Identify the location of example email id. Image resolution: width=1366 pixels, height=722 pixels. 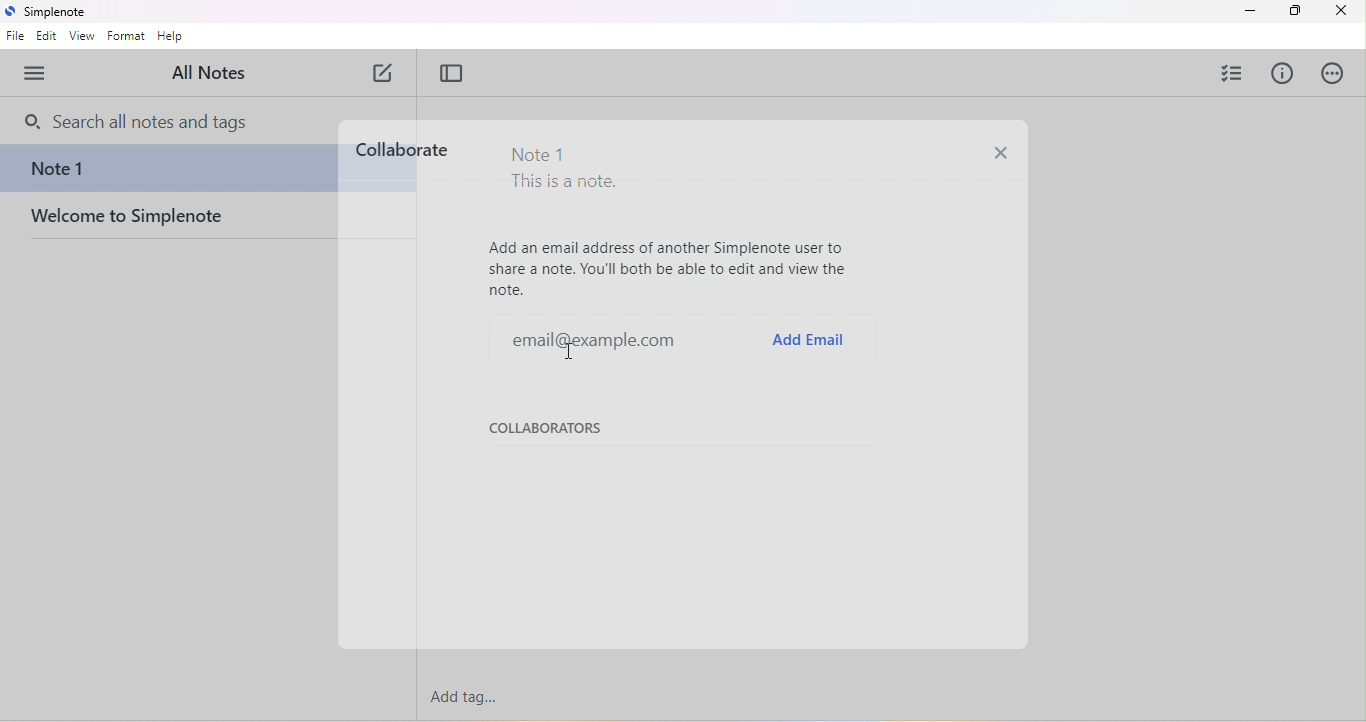
(575, 336).